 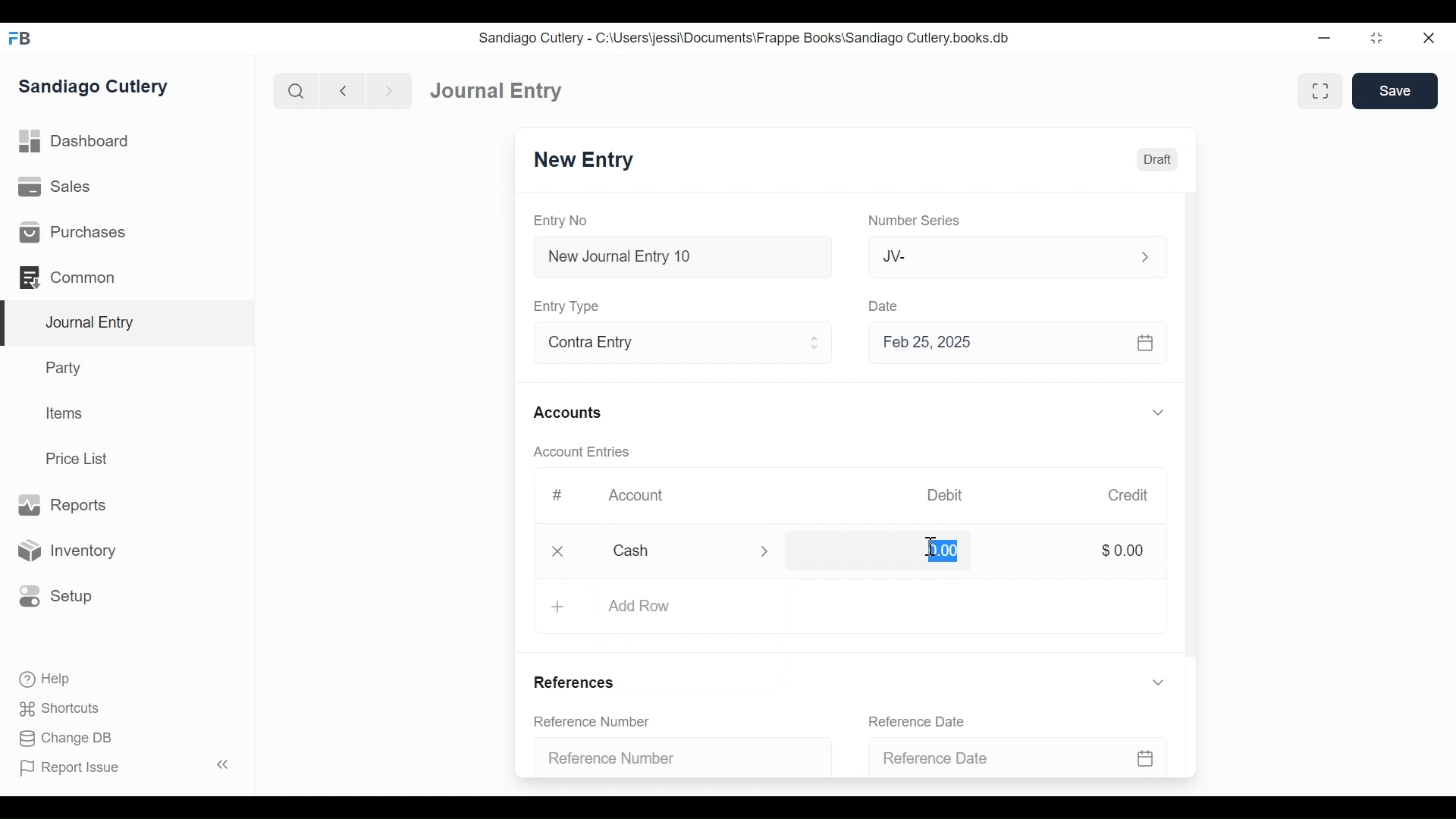 I want to click on Draft, so click(x=1158, y=160).